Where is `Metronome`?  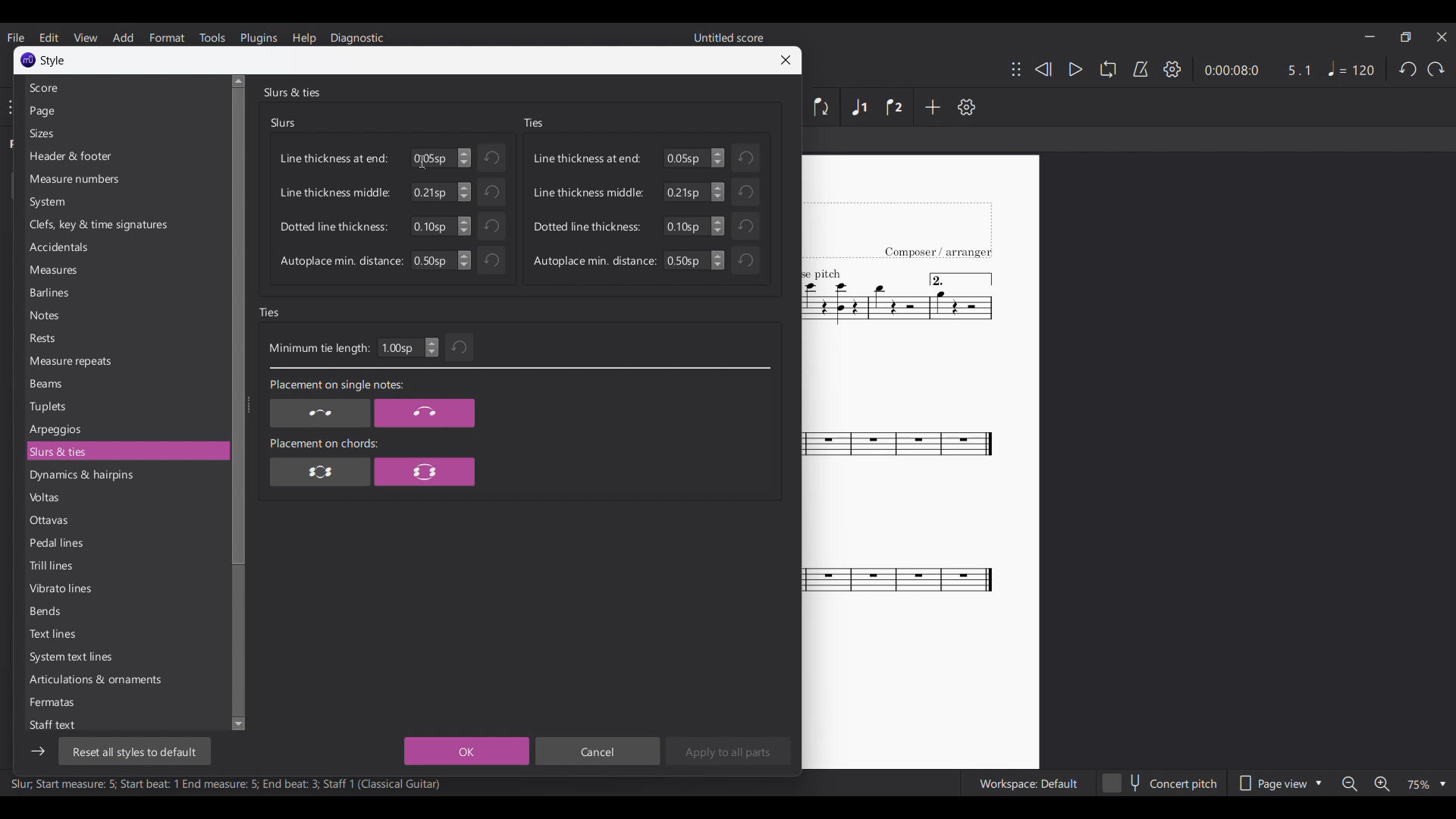 Metronome is located at coordinates (1141, 69).